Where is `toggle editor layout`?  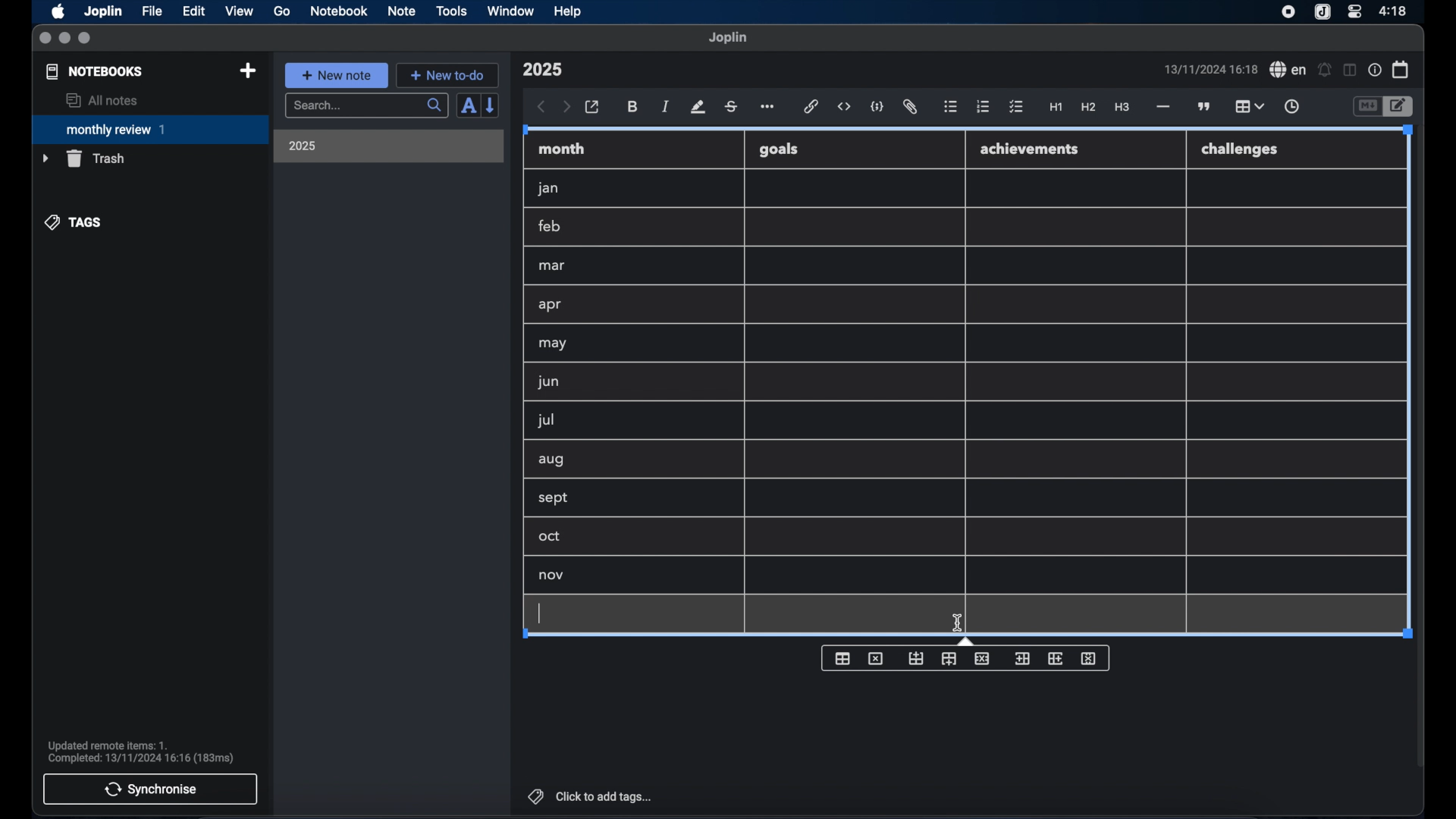 toggle editor layout is located at coordinates (1351, 70).